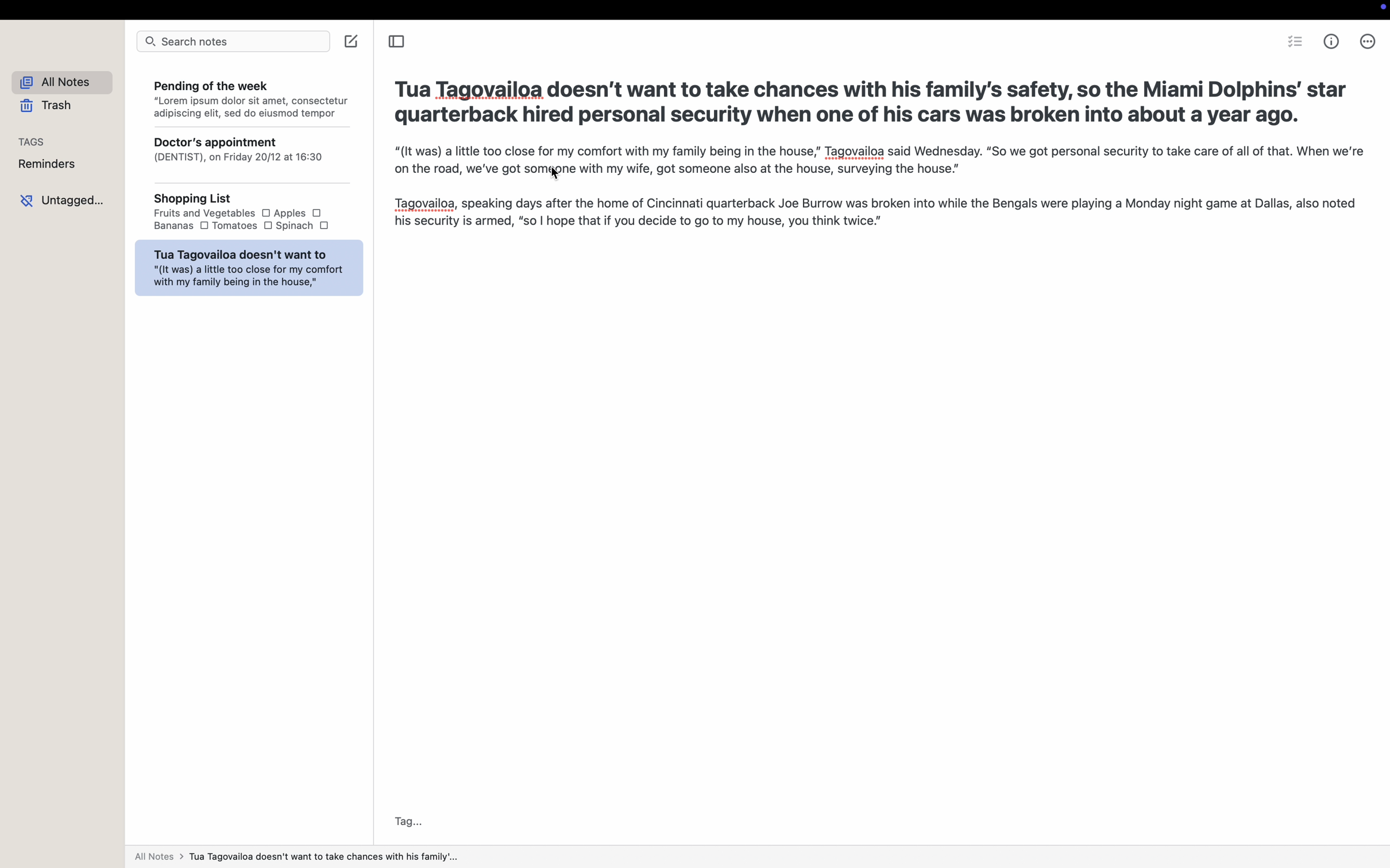 The width and height of the screenshot is (1390, 868). What do you see at coordinates (1294, 41) in the screenshot?
I see `check list` at bounding box center [1294, 41].